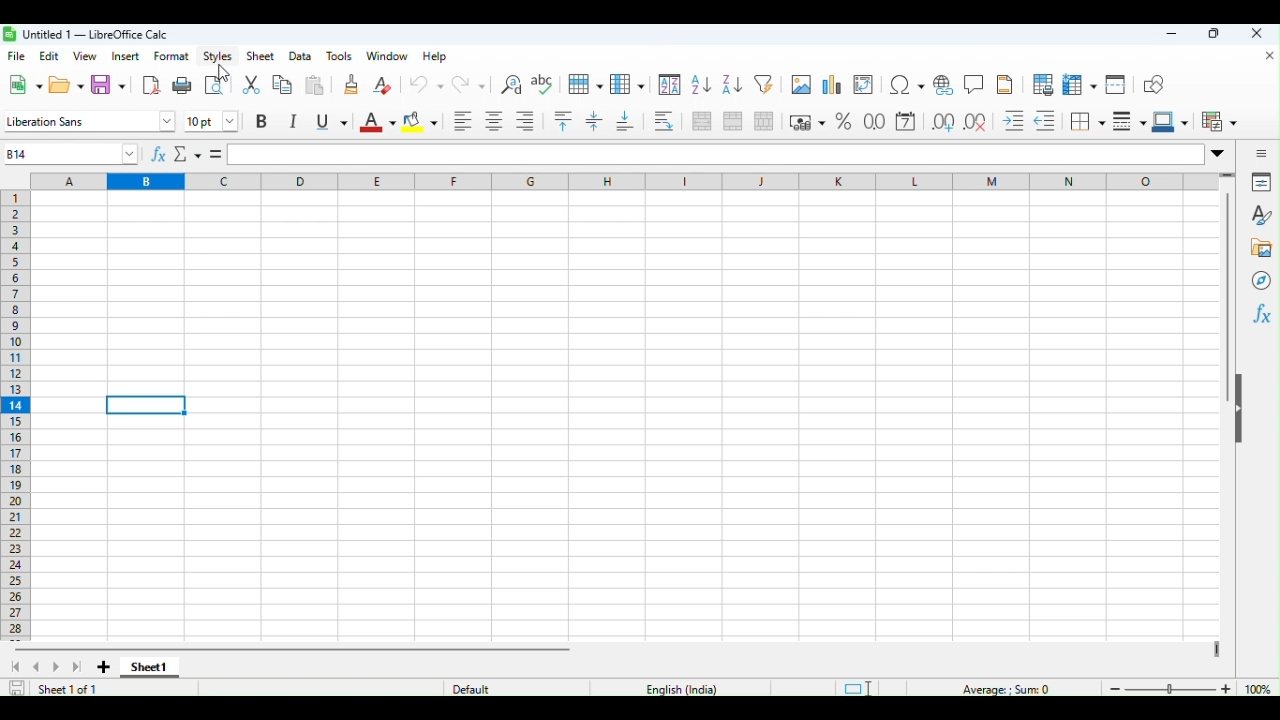  What do you see at coordinates (805, 118) in the screenshot?
I see `Format as currency` at bounding box center [805, 118].